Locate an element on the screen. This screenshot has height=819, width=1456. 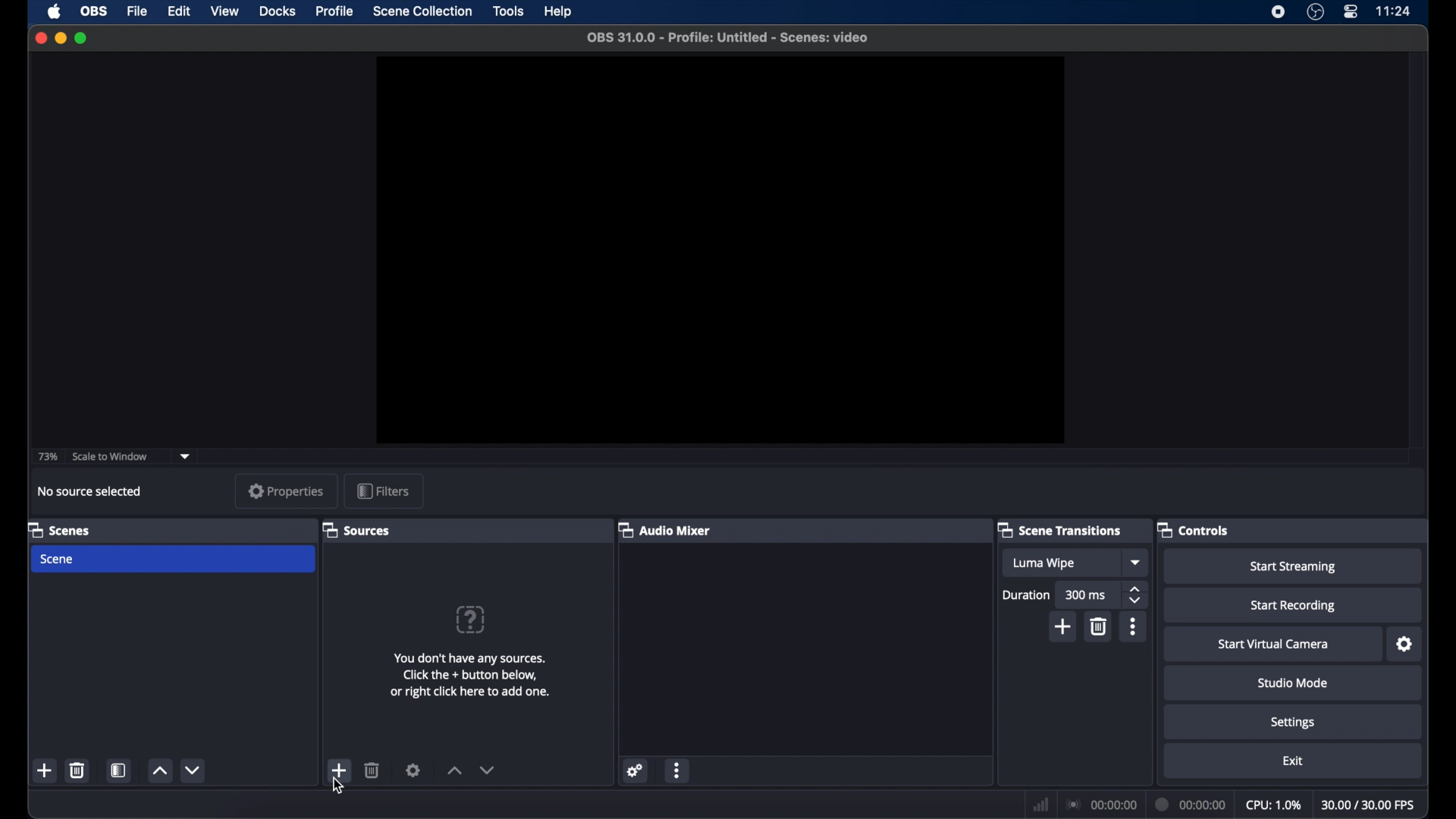
delete is located at coordinates (77, 770).